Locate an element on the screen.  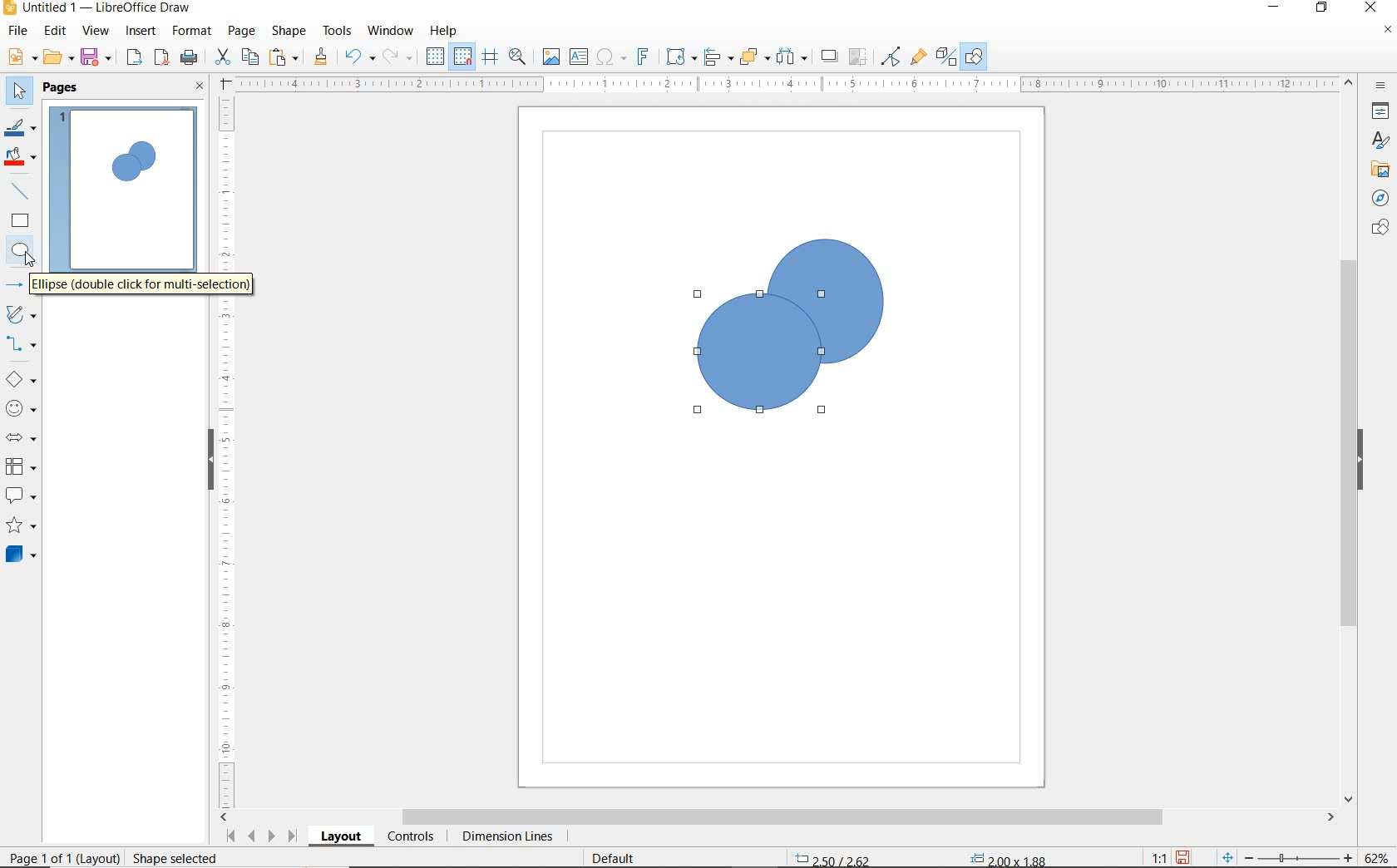
SELECT AT LEAST 3 OBJECTS TO DISTRIBUTE is located at coordinates (792, 56).